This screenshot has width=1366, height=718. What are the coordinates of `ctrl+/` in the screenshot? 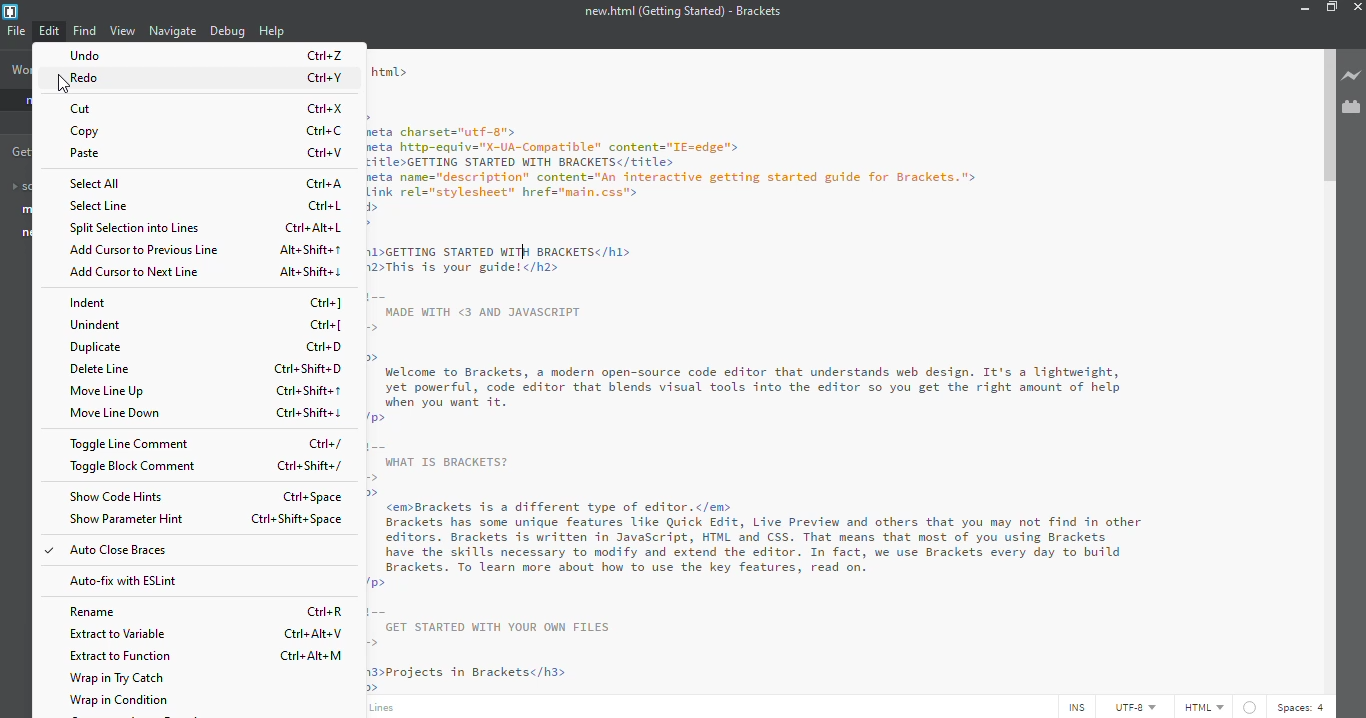 It's located at (325, 441).